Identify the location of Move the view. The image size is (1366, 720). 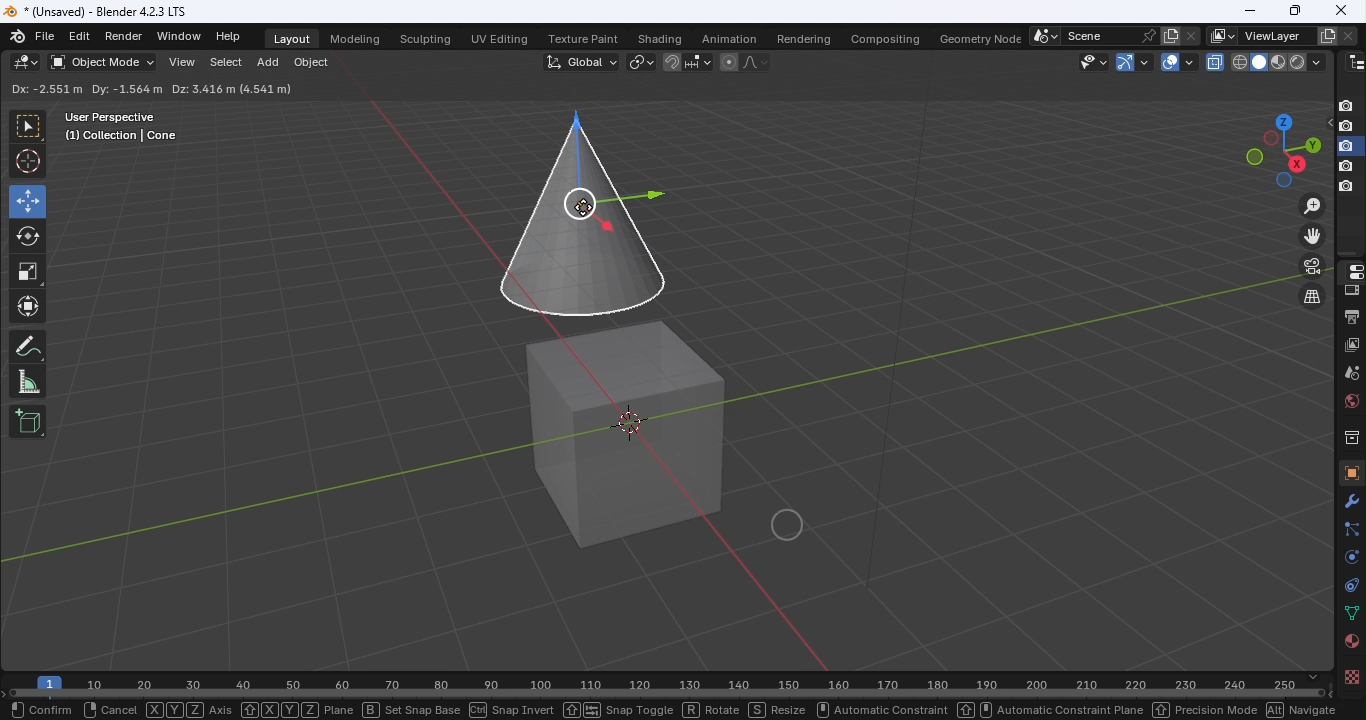
(1313, 236).